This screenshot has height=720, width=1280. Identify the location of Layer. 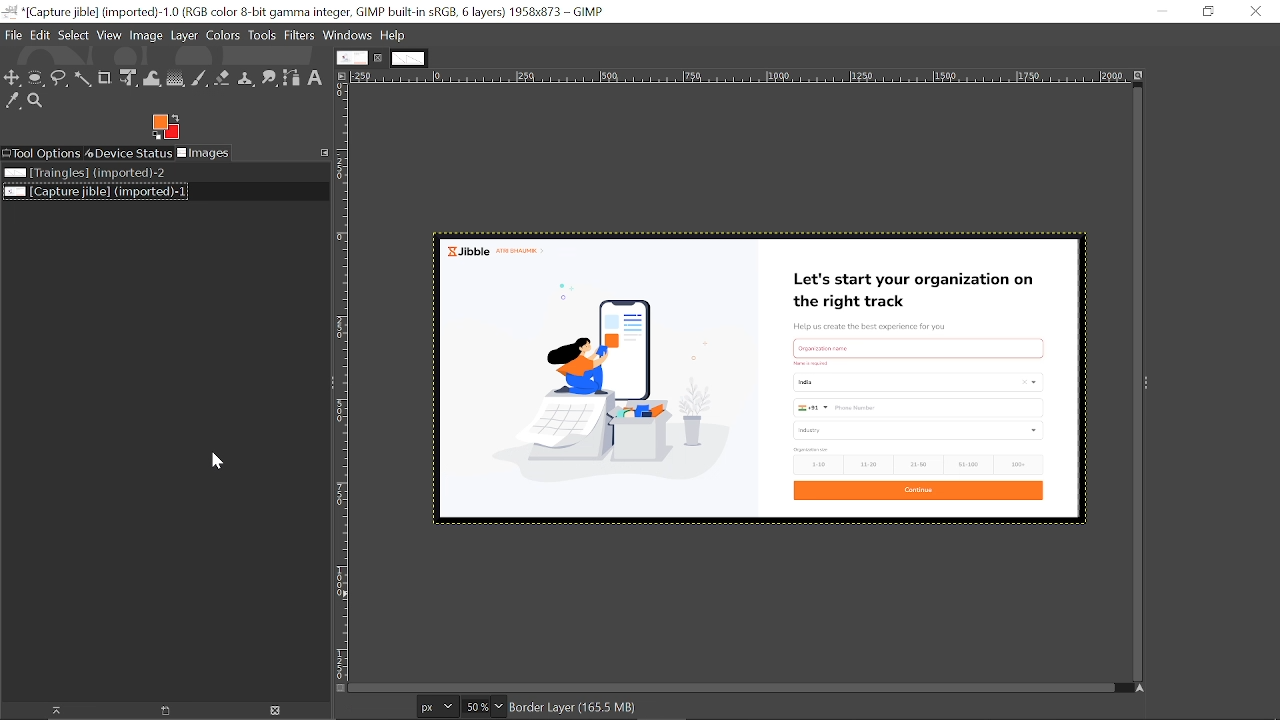
(184, 35).